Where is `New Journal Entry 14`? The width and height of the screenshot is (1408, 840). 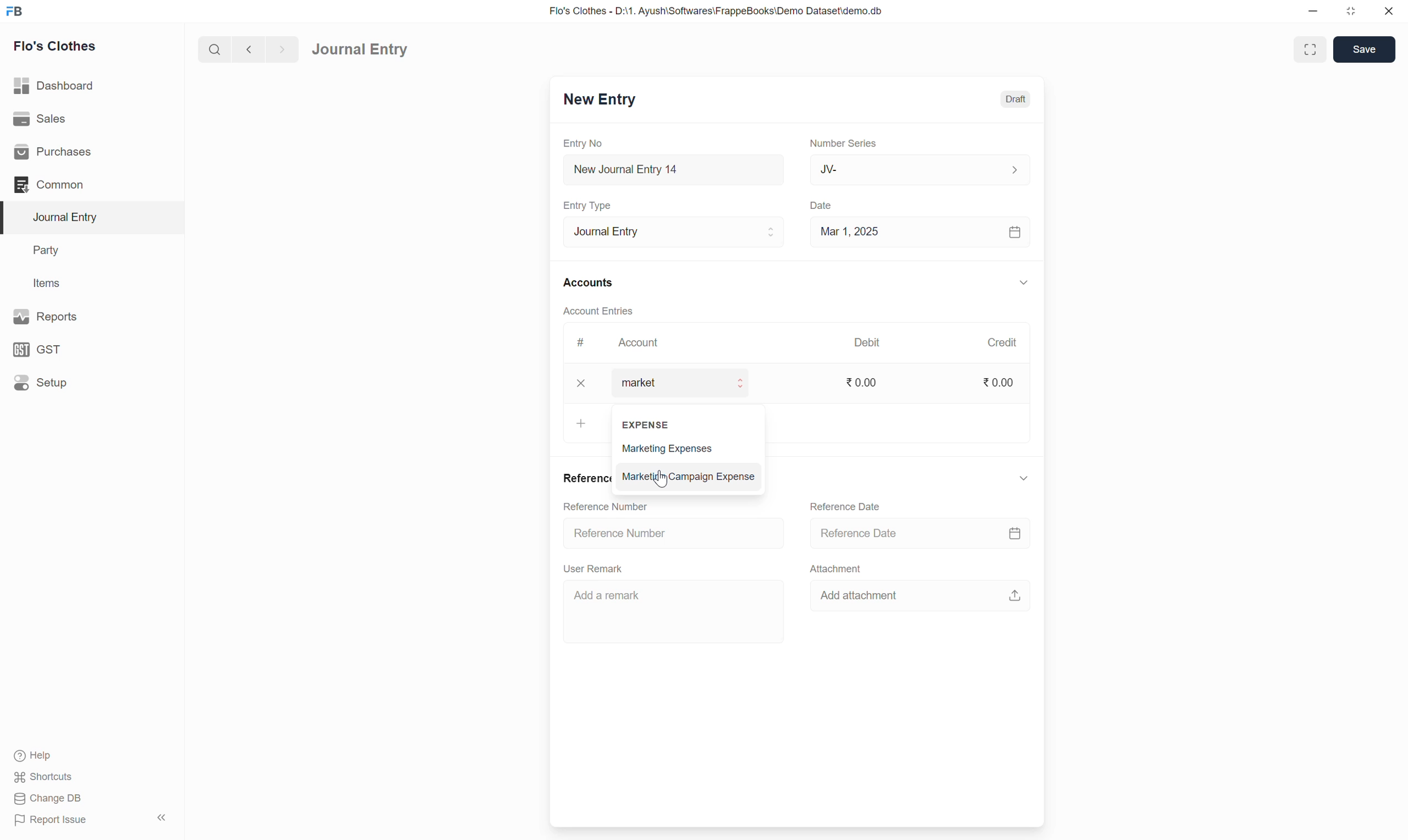 New Journal Entry 14 is located at coordinates (646, 170).